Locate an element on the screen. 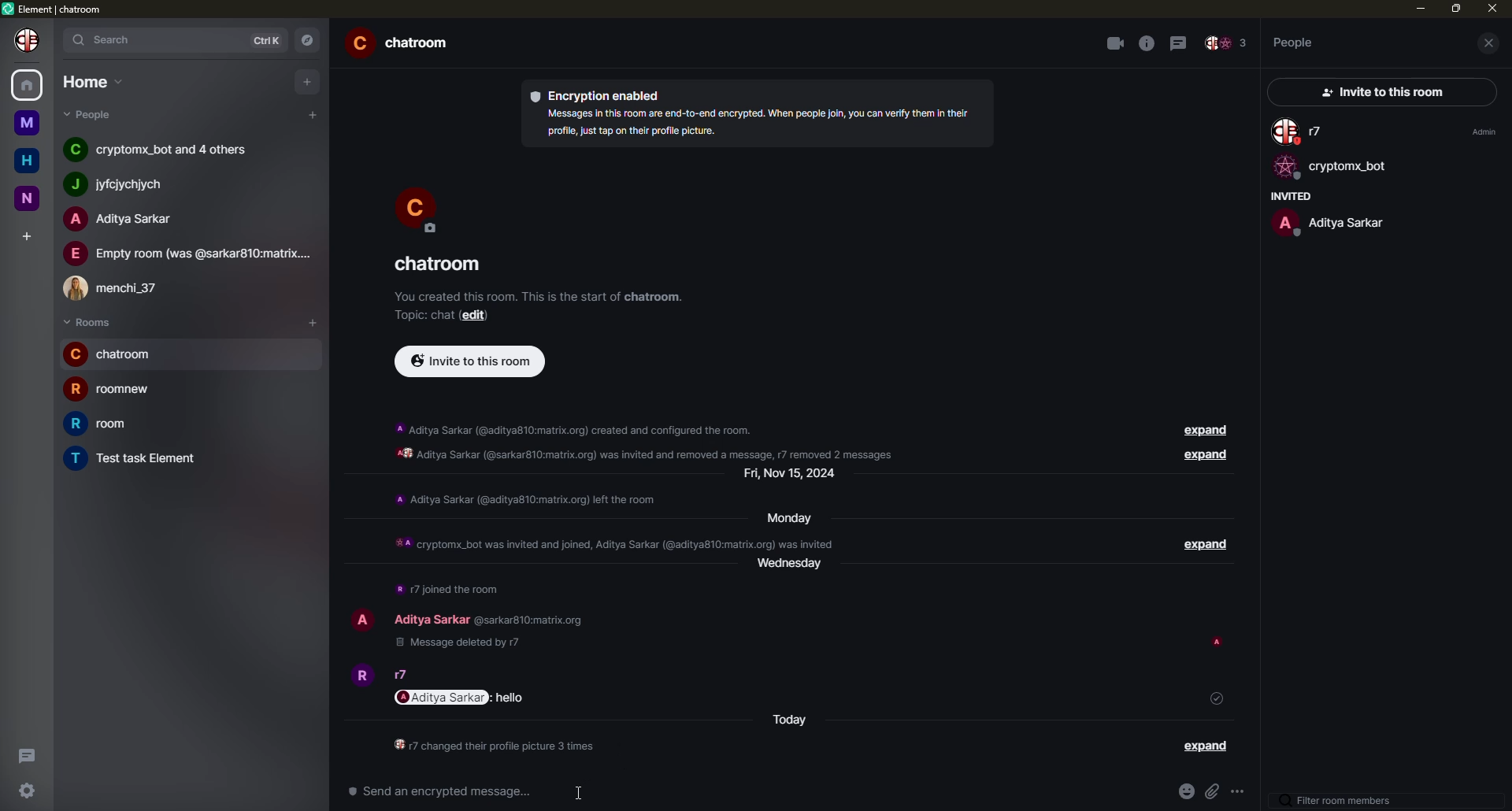 The height and width of the screenshot is (811, 1512). topic is located at coordinates (421, 315).